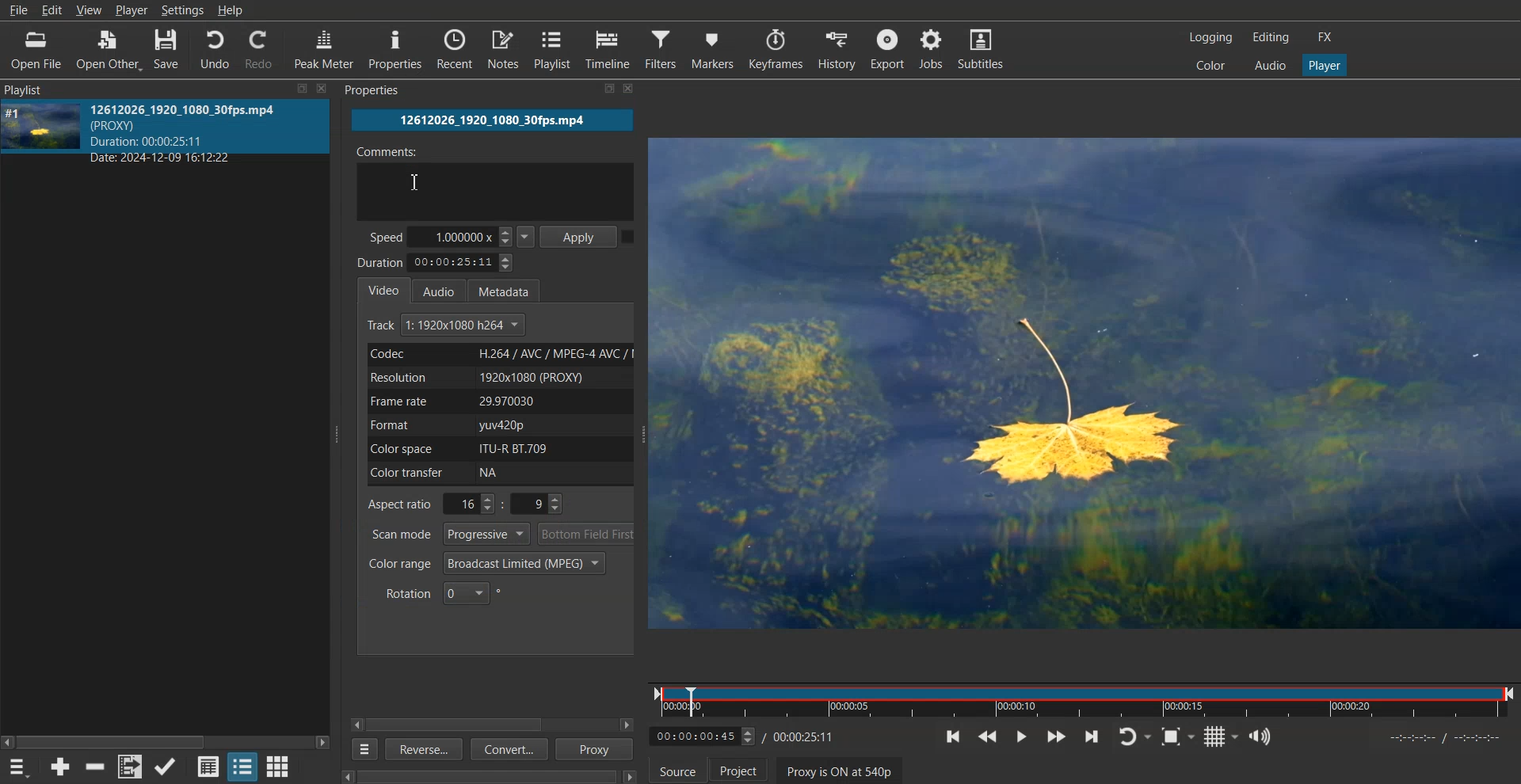  Describe the element at coordinates (954, 736) in the screenshot. I see `Skip to the previous point` at that location.